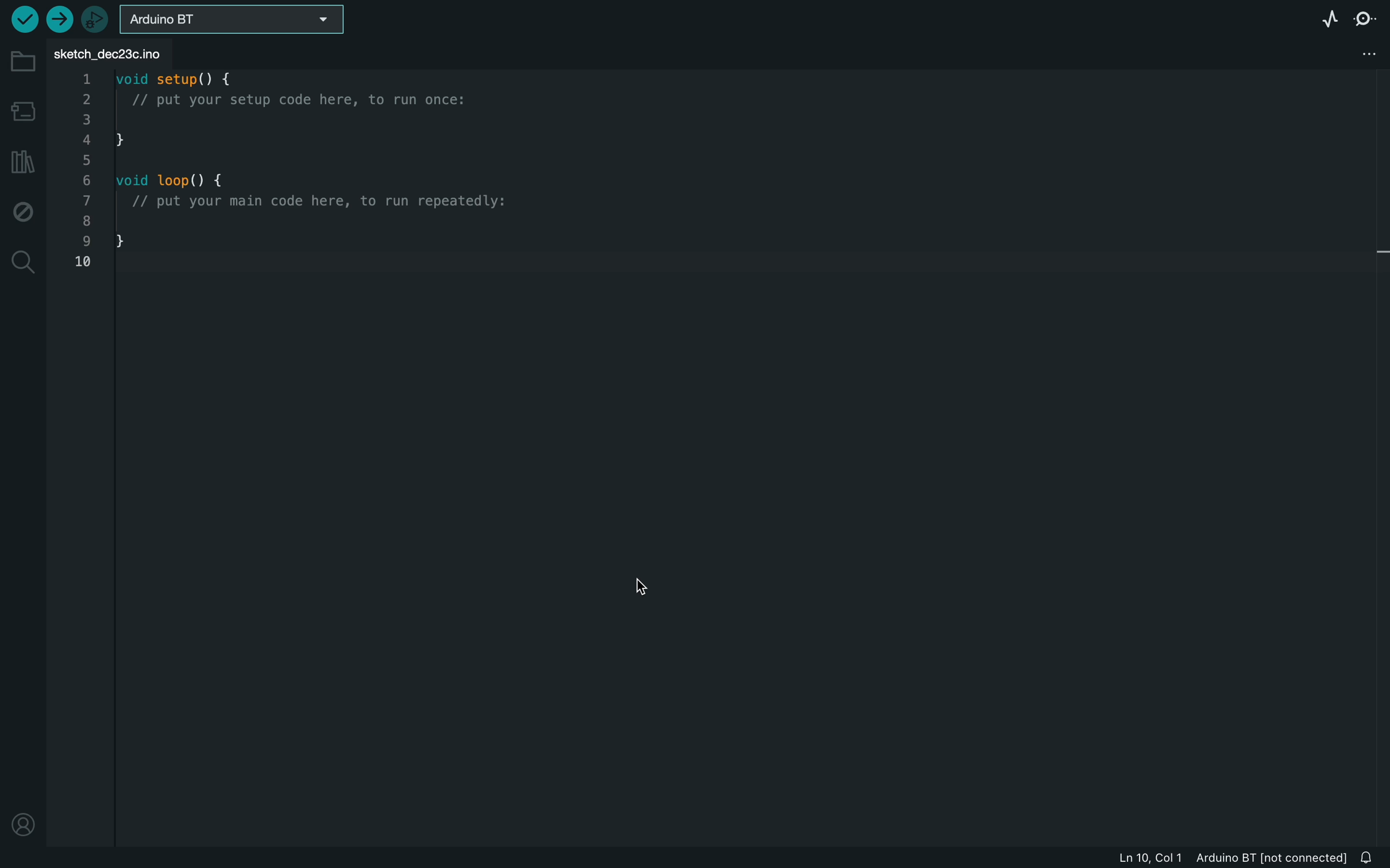 The width and height of the screenshot is (1390, 868). I want to click on profile, so click(26, 823).